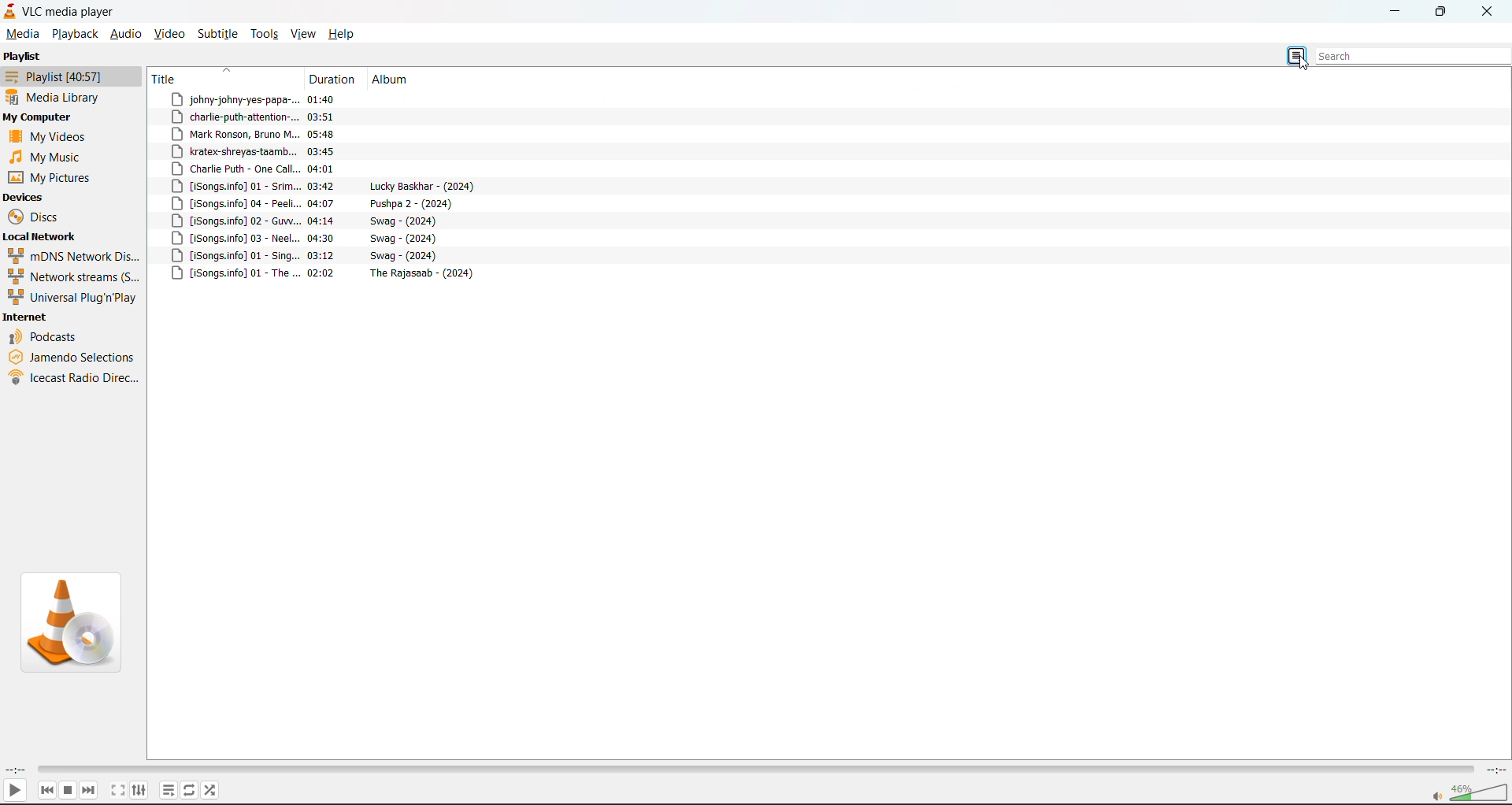 The image size is (1512, 805). What do you see at coordinates (1469, 793) in the screenshot?
I see `volume` at bounding box center [1469, 793].